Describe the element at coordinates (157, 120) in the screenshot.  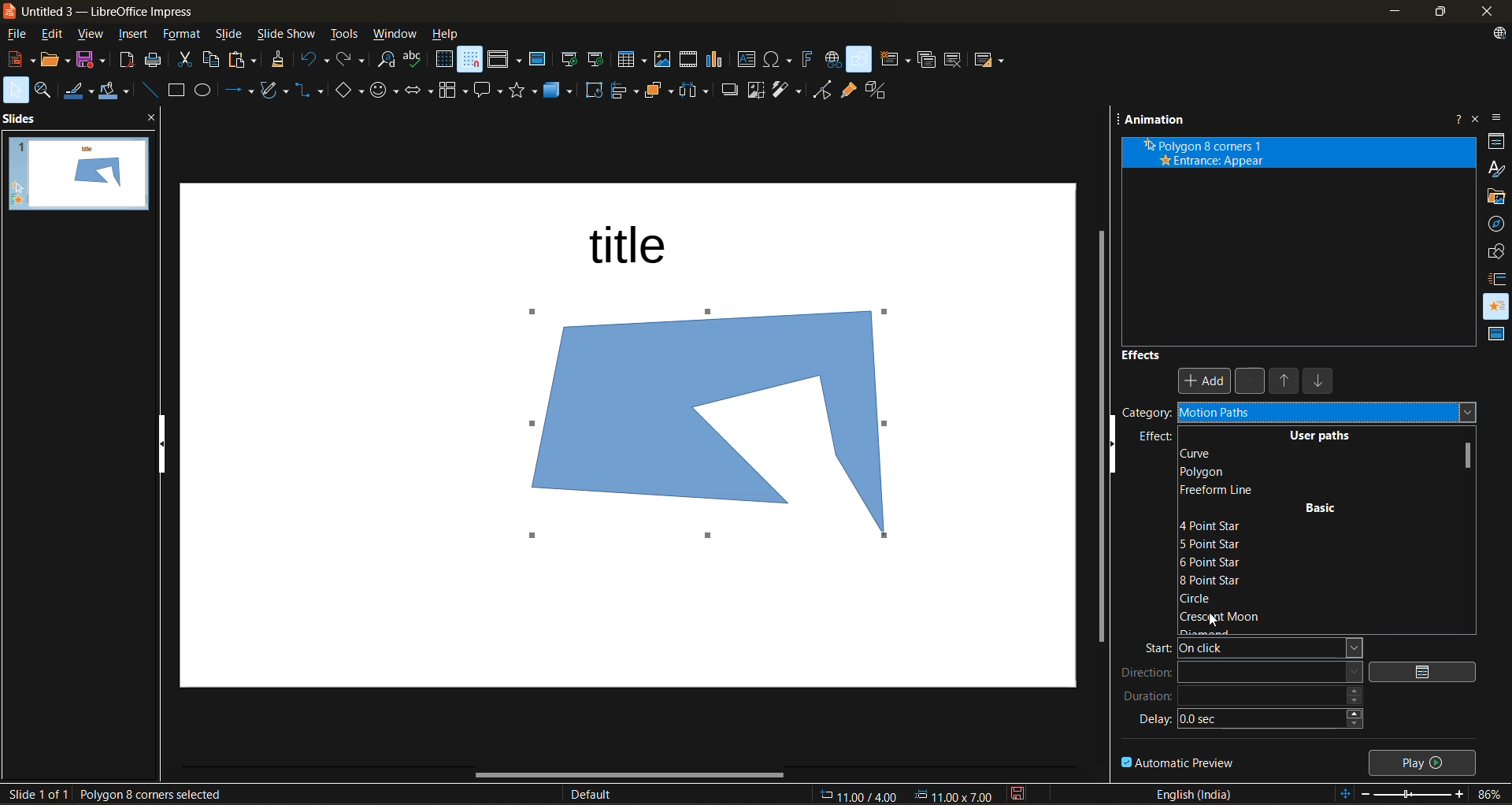
I see `close pane` at that location.